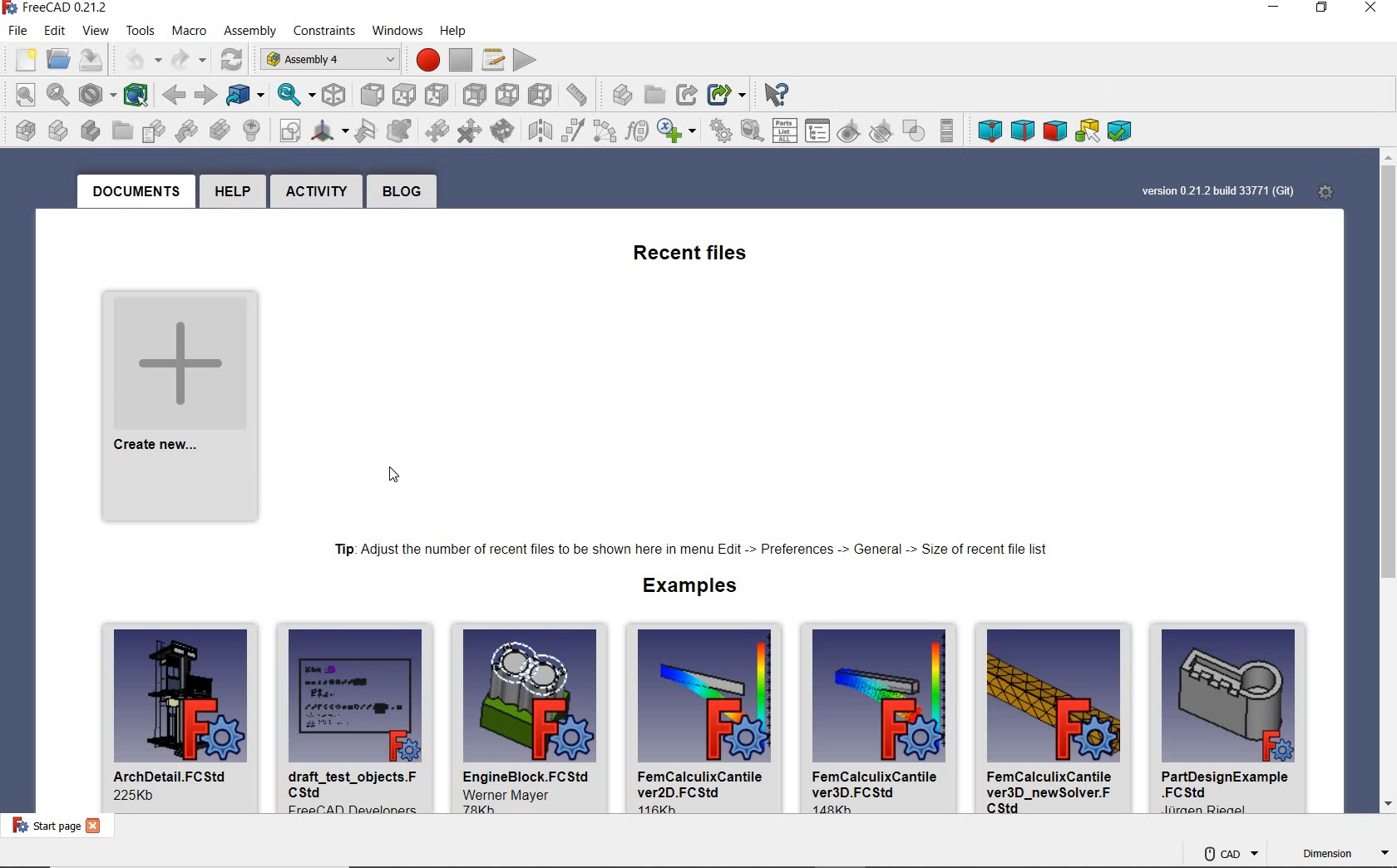 This screenshot has width=1397, height=868. Describe the element at coordinates (1231, 717) in the screenshot. I see `PartDesingExample` at that location.